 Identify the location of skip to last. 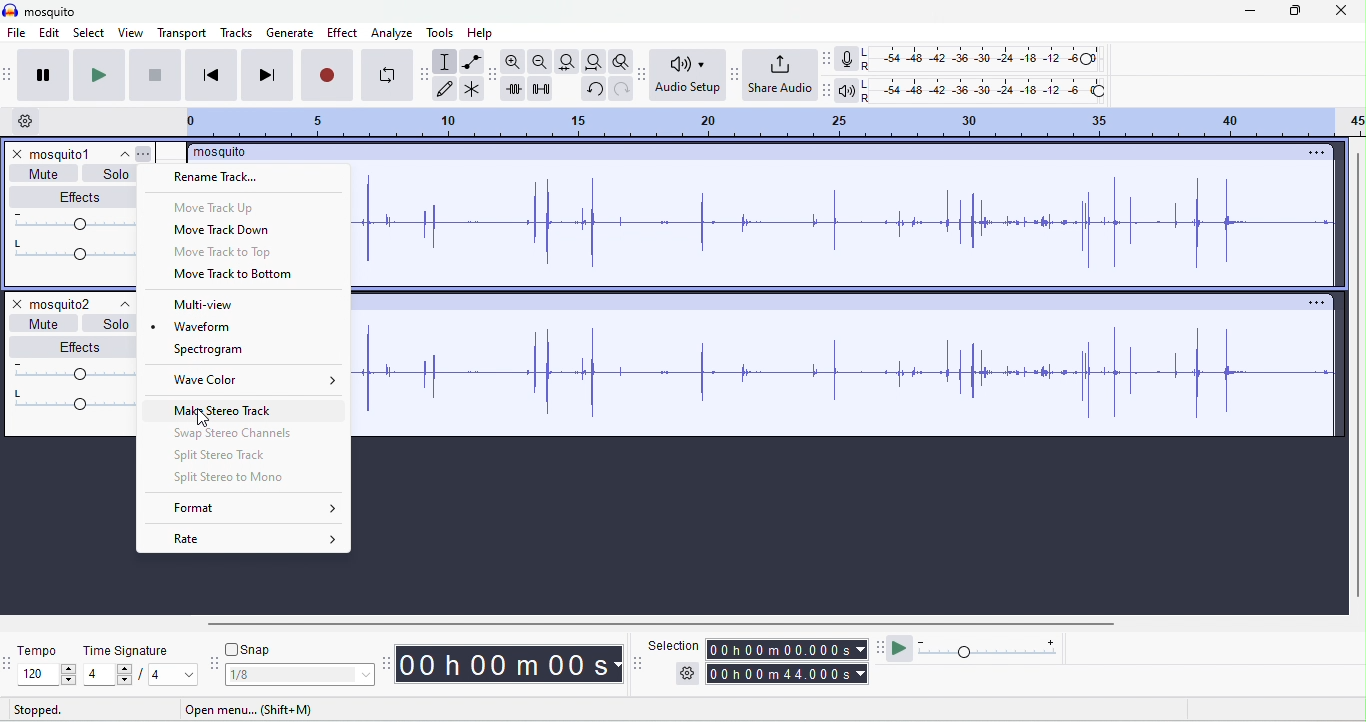
(268, 74).